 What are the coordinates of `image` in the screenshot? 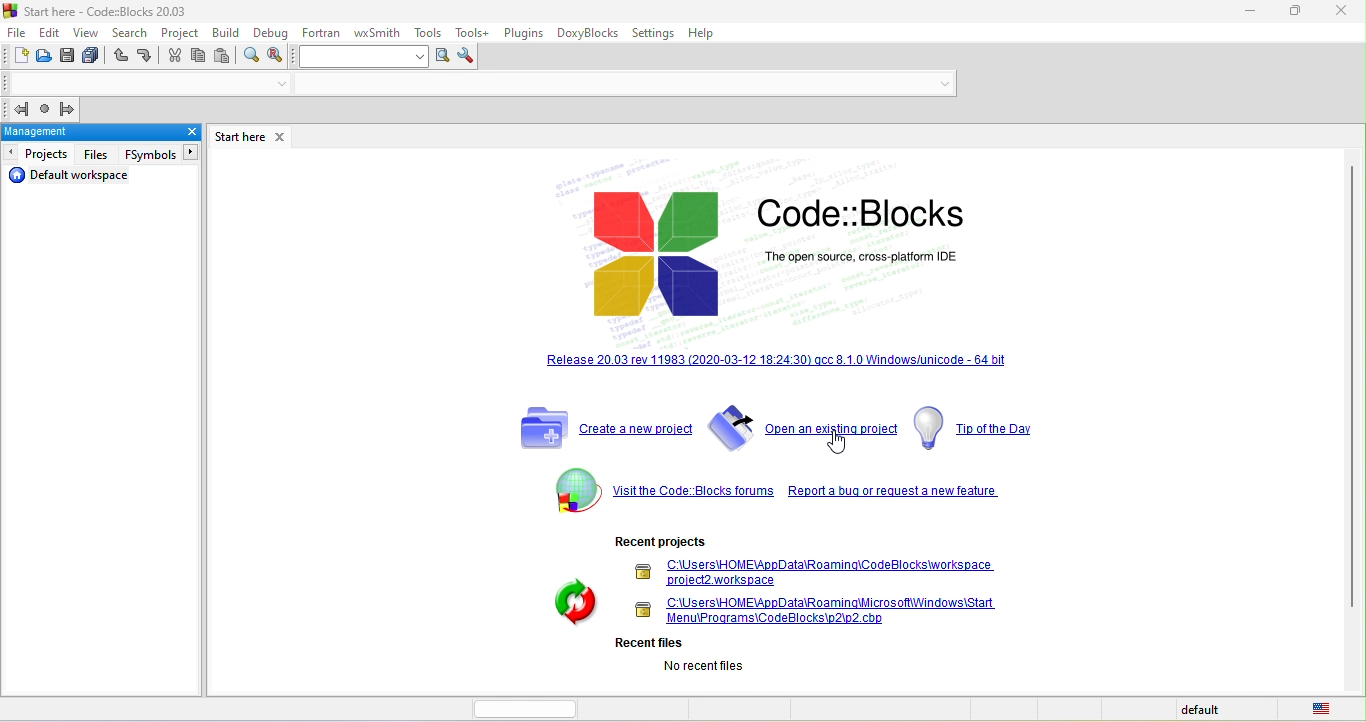 It's located at (565, 604).